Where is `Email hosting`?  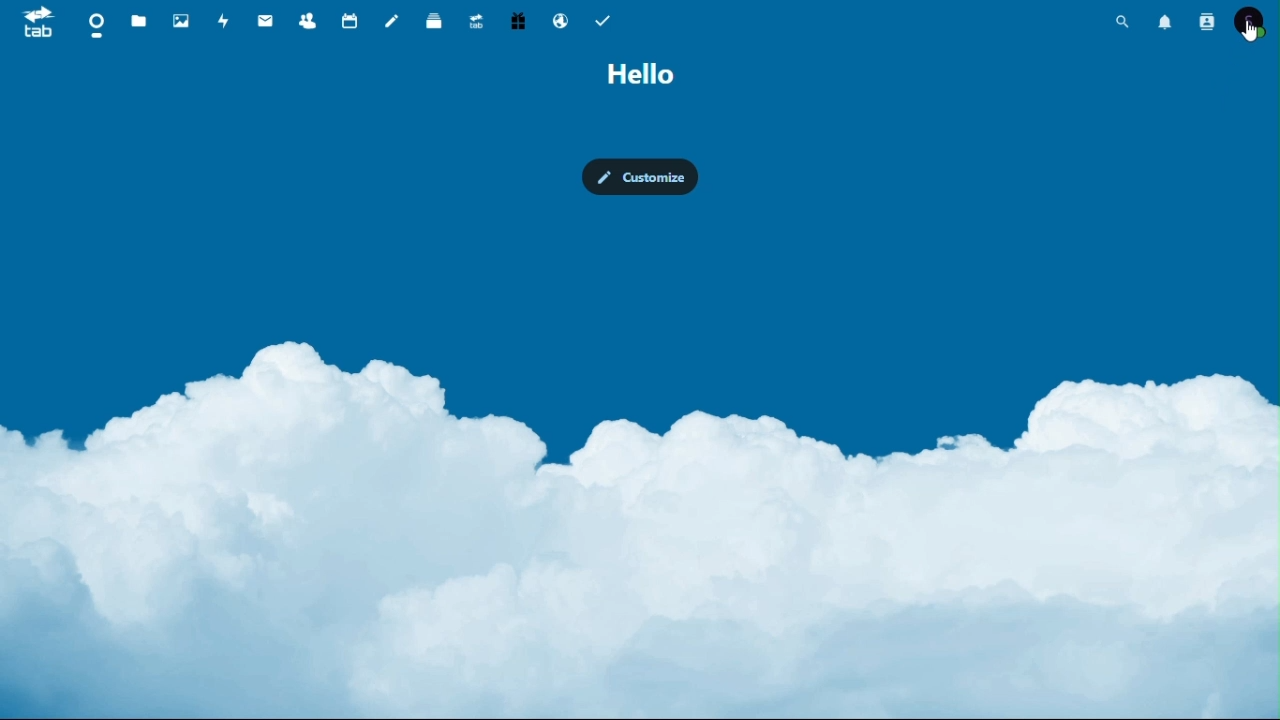 Email hosting is located at coordinates (562, 19).